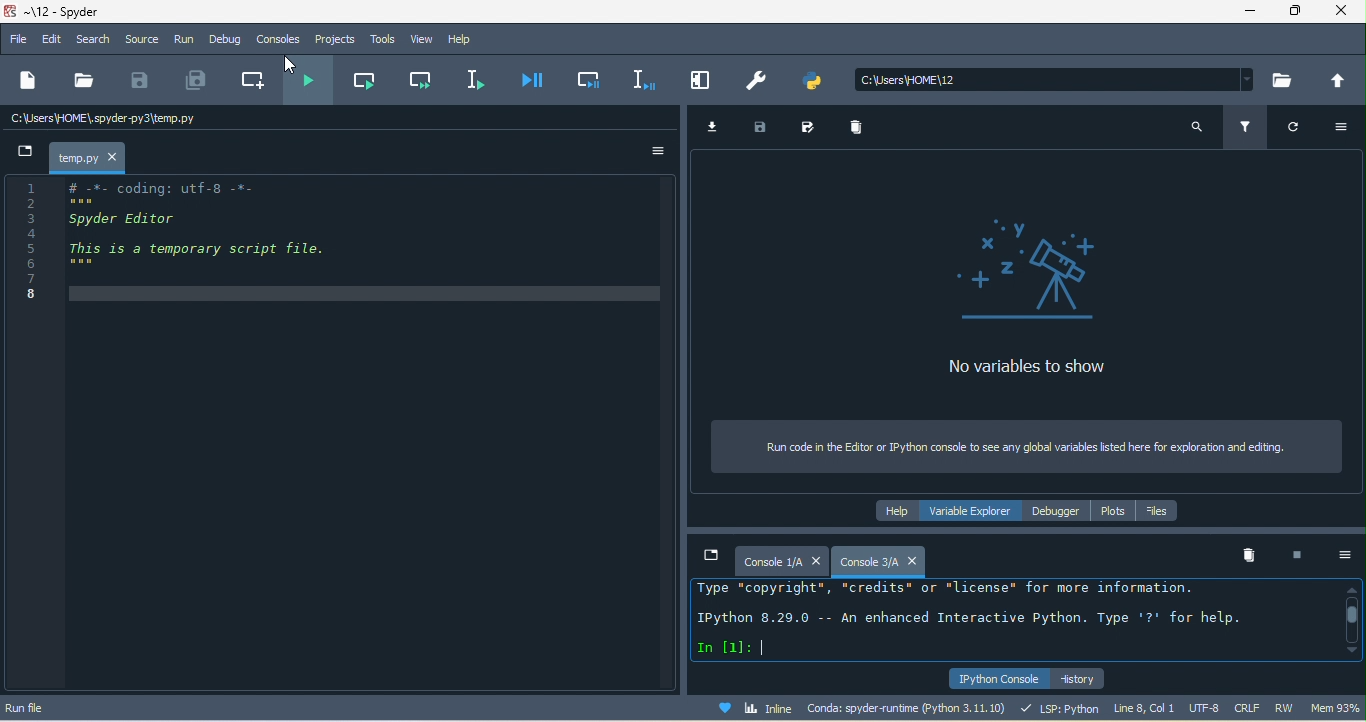  I want to click on source, so click(142, 39).